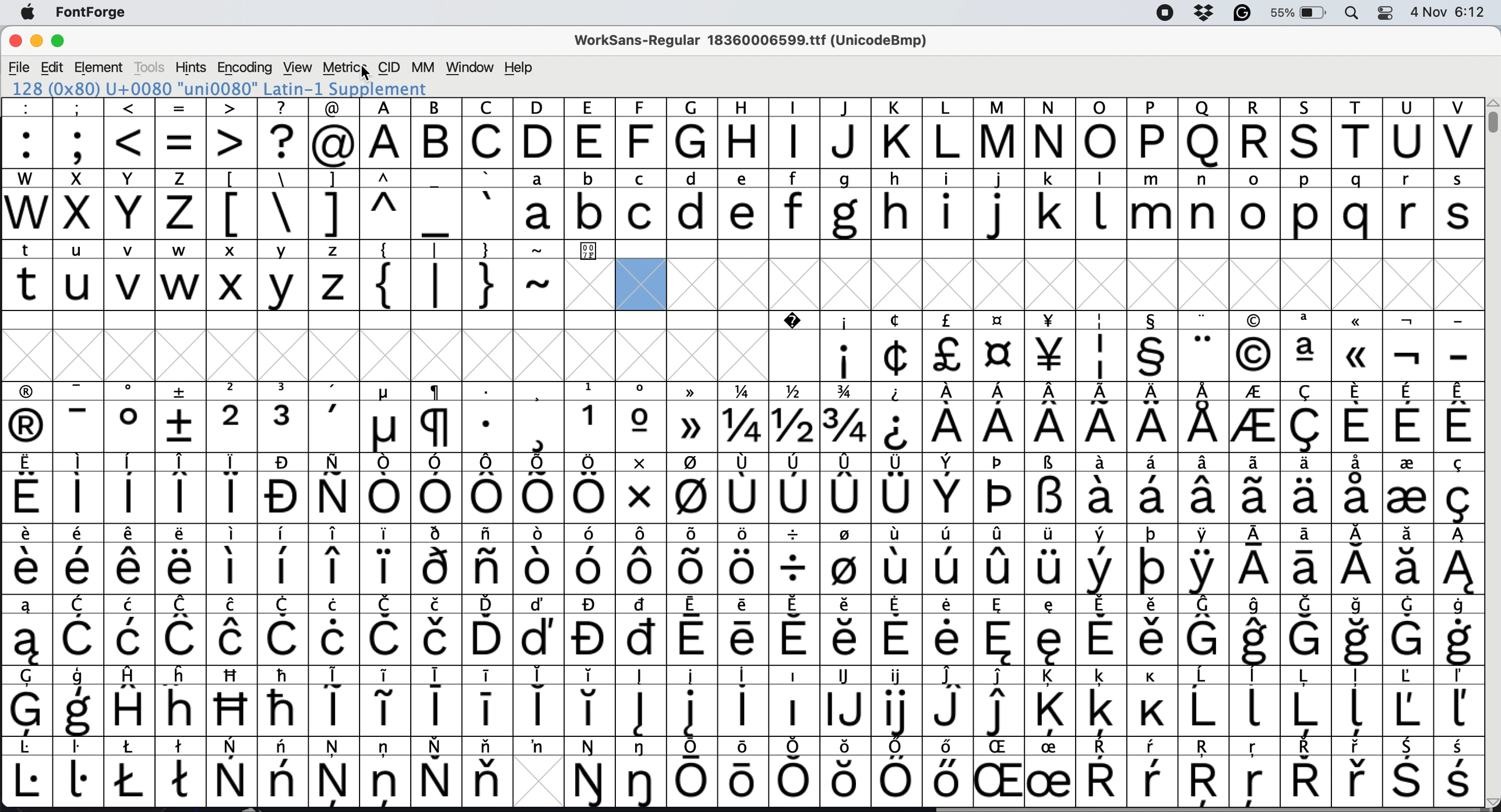 This screenshot has height=812, width=1501. I want to click on text, so click(182, 252).